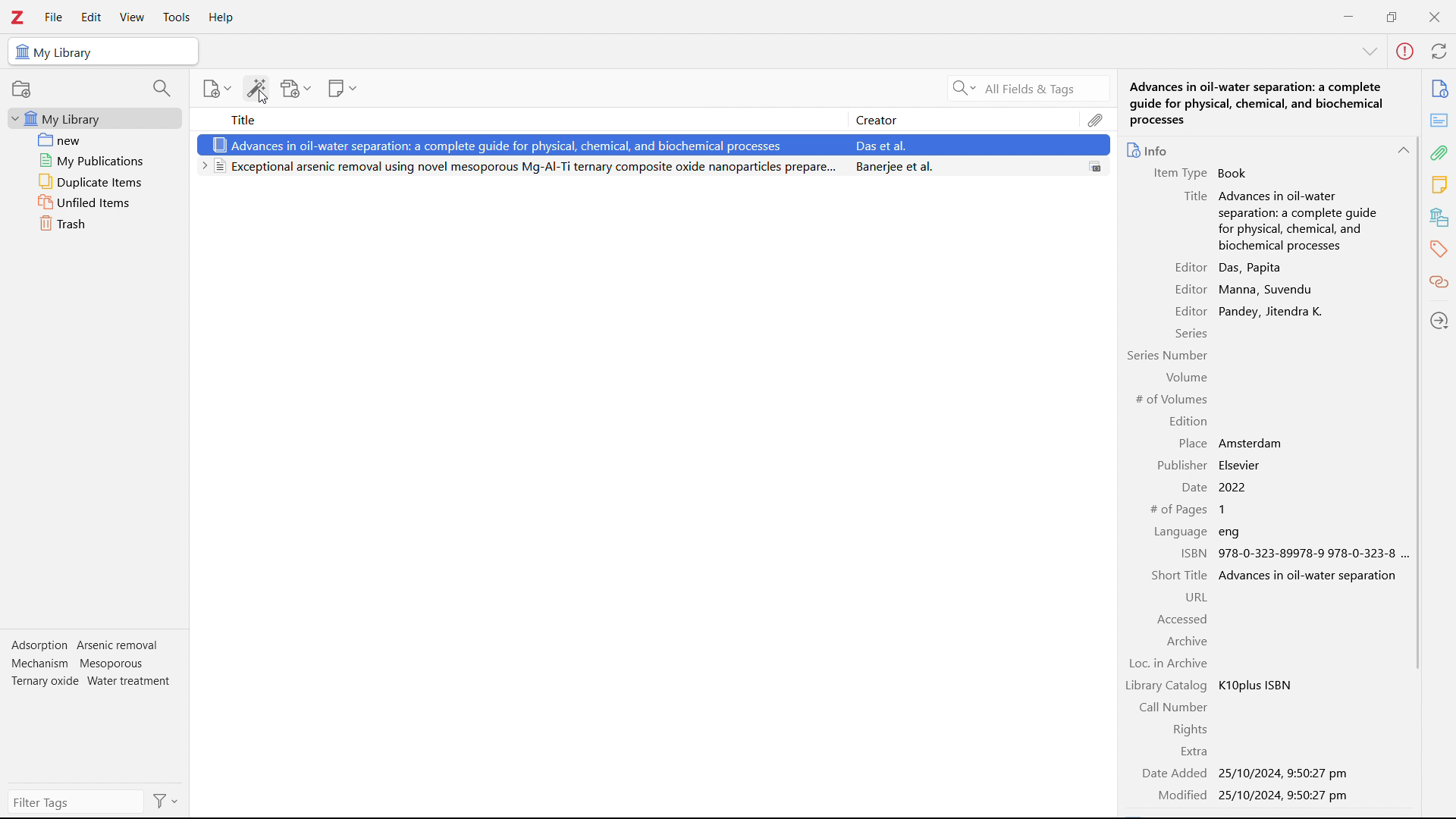 The width and height of the screenshot is (1456, 819). What do you see at coordinates (264, 97) in the screenshot?
I see `cursor` at bounding box center [264, 97].